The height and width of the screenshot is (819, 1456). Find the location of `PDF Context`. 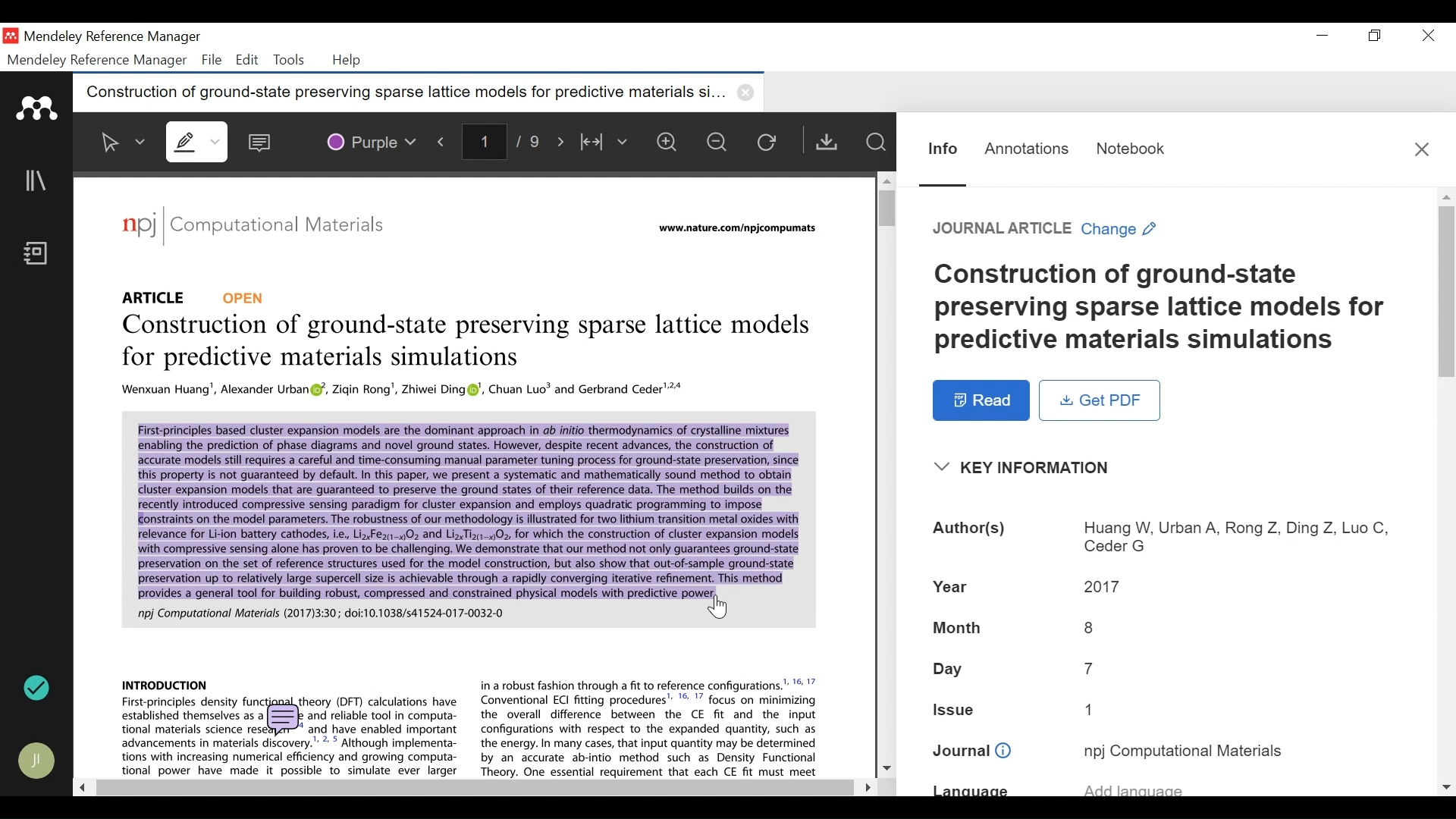

PDF Context is located at coordinates (651, 726).